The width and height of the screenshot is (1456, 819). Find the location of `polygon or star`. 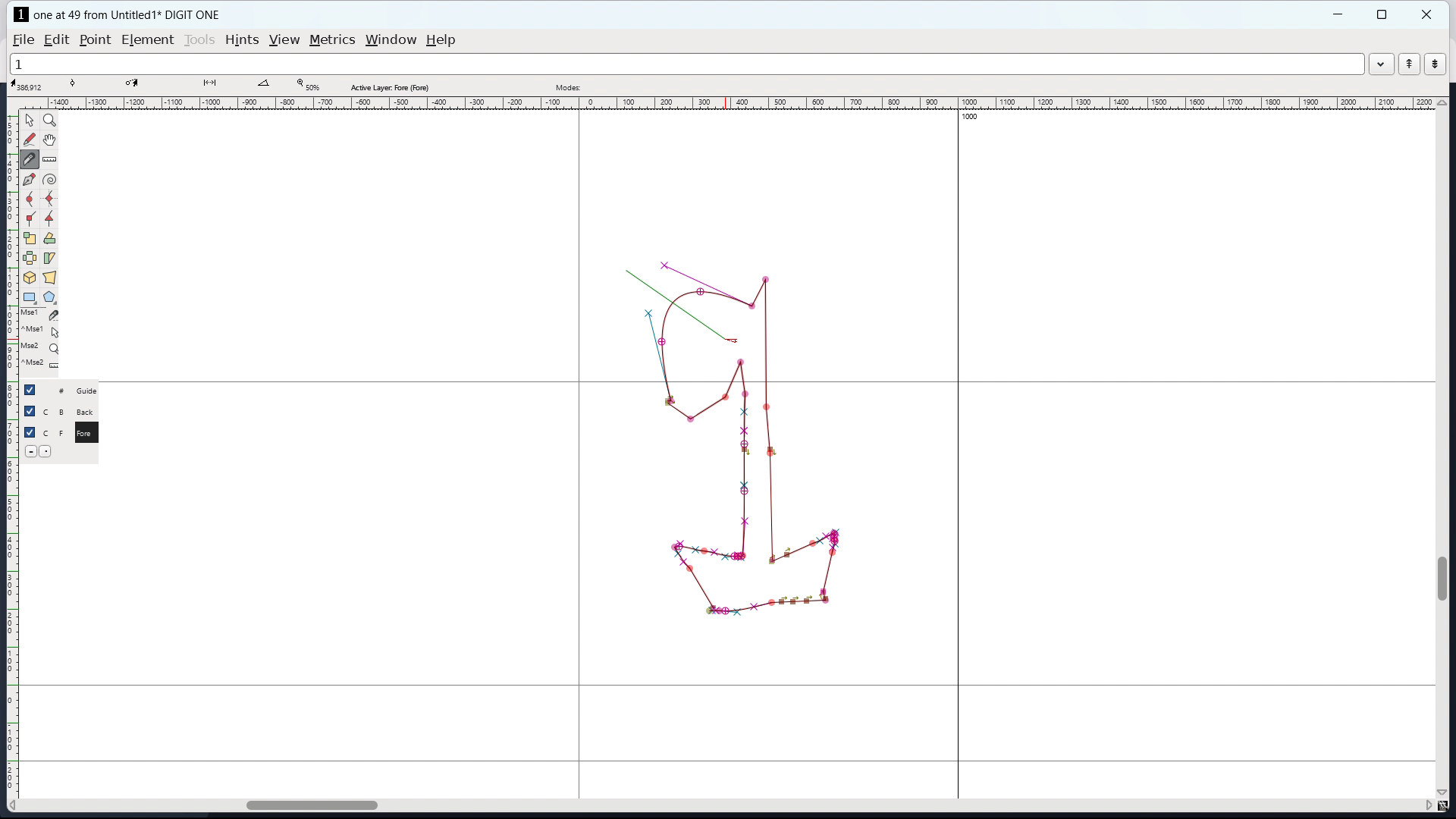

polygon or star is located at coordinates (49, 297).